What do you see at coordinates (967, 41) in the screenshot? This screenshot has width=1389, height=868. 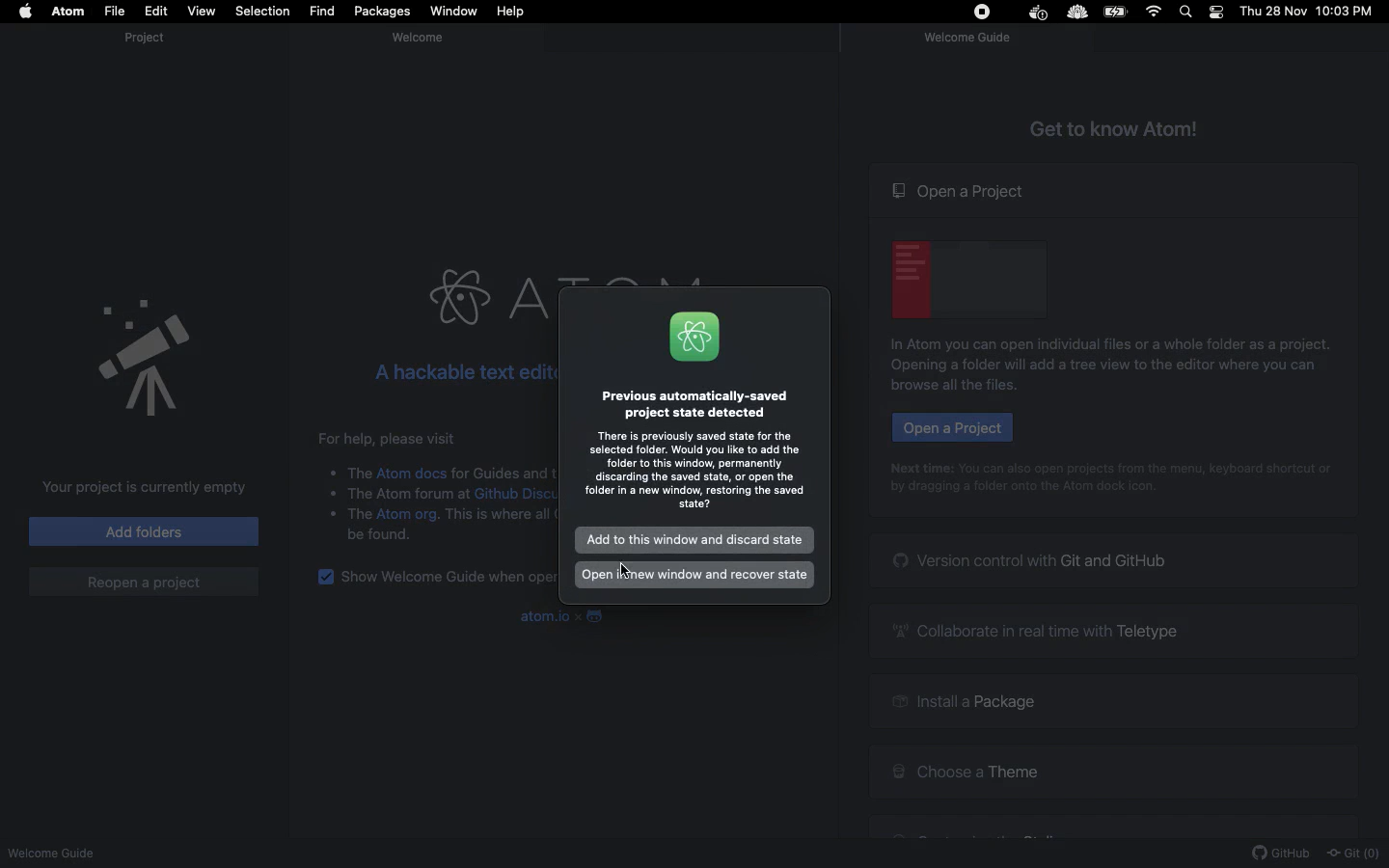 I see `Welcome Guide Tab` at bounding box center [967, 41].